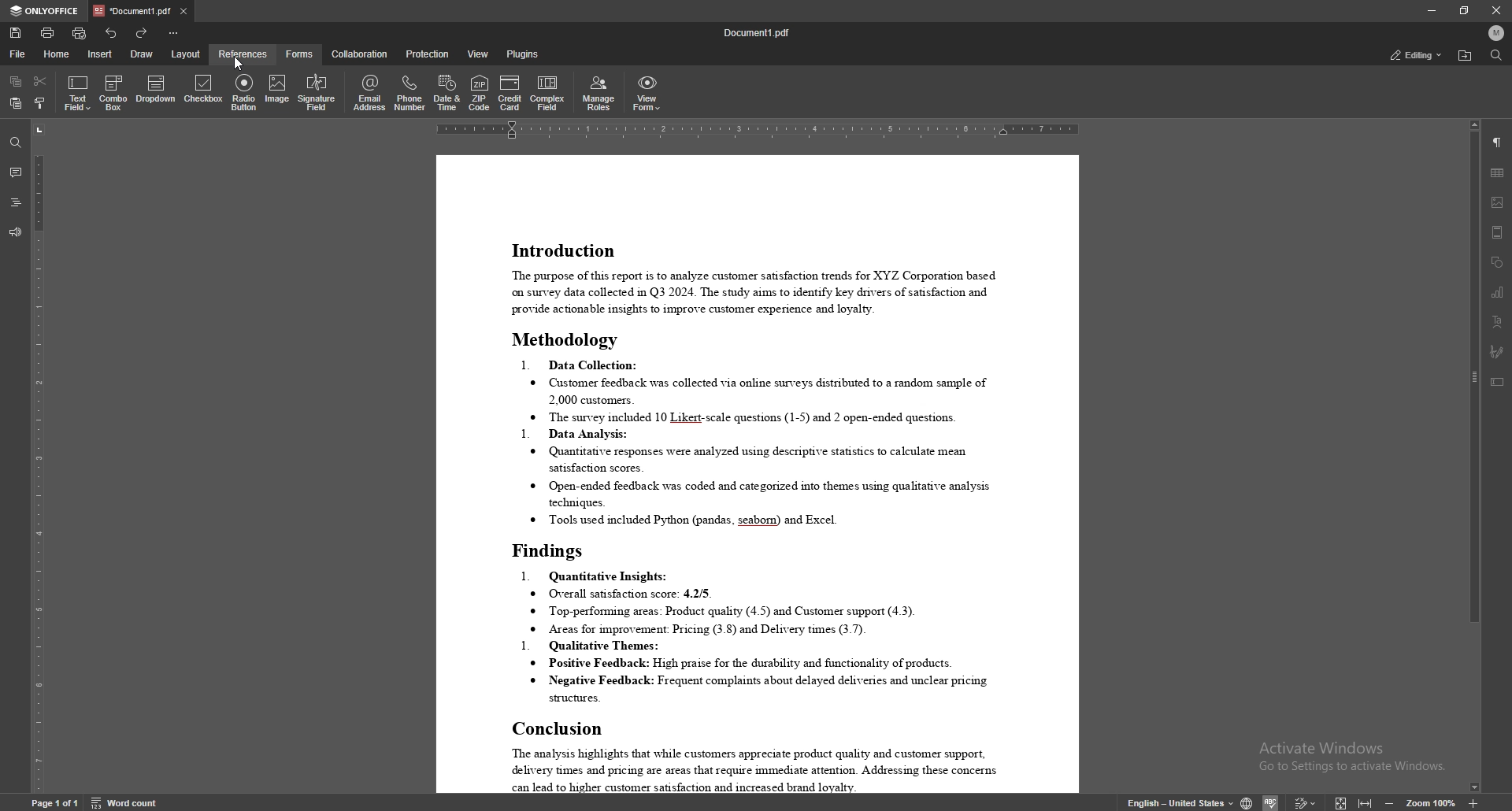 The height and width of the screenshot is (811, 1512). What do you see at coordinates (1350, 757) in the screenshot?
I see `Activate Windows
Go to Settings to activate Windows.` at bounding box center [1350, 757].